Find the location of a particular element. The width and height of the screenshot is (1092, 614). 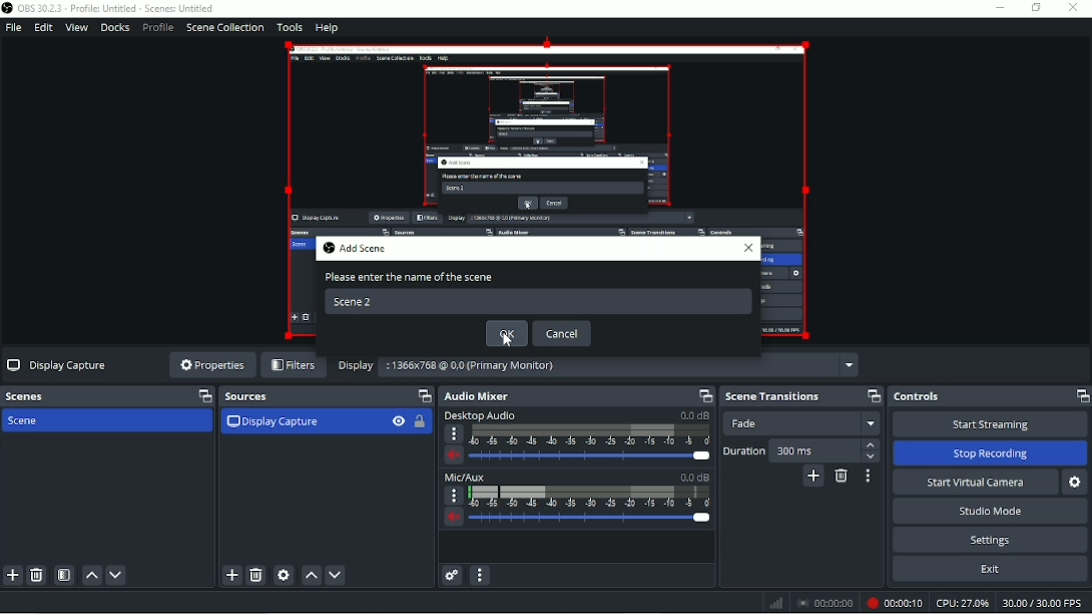

Scene is located at coordinates (27, 420).